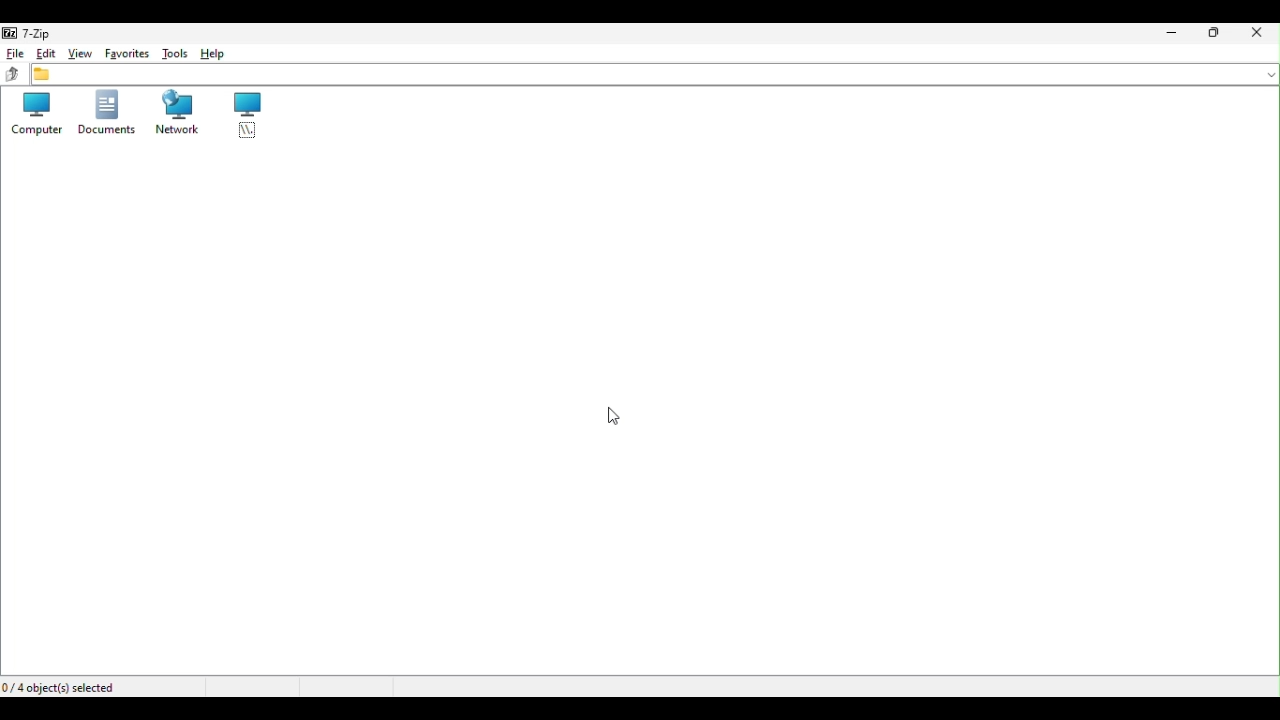  I want to click on Close, so click(1262, 36).